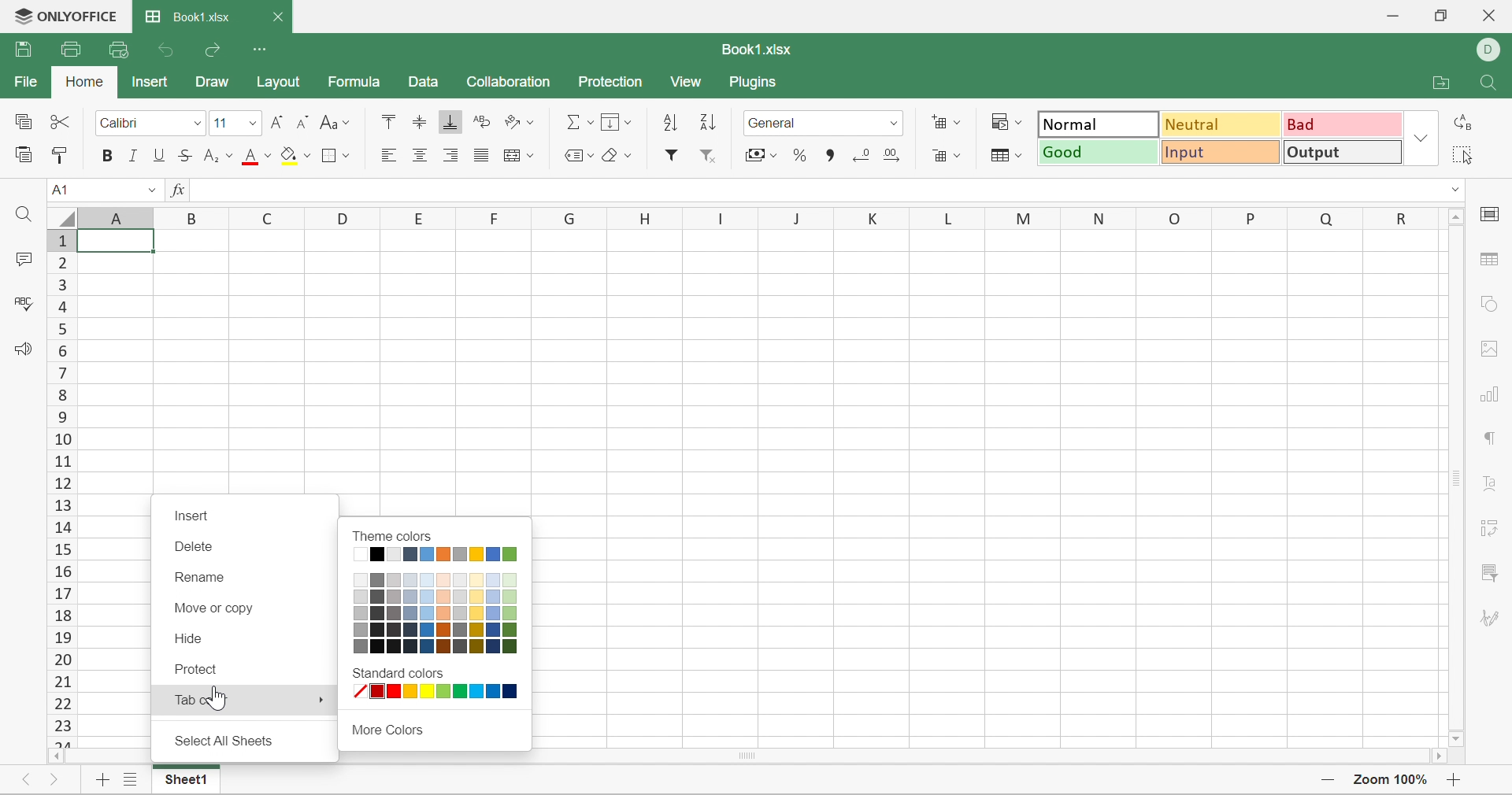 This screenshot has height=795, width=1512. I want to click on Quick print, so click(119, 50).